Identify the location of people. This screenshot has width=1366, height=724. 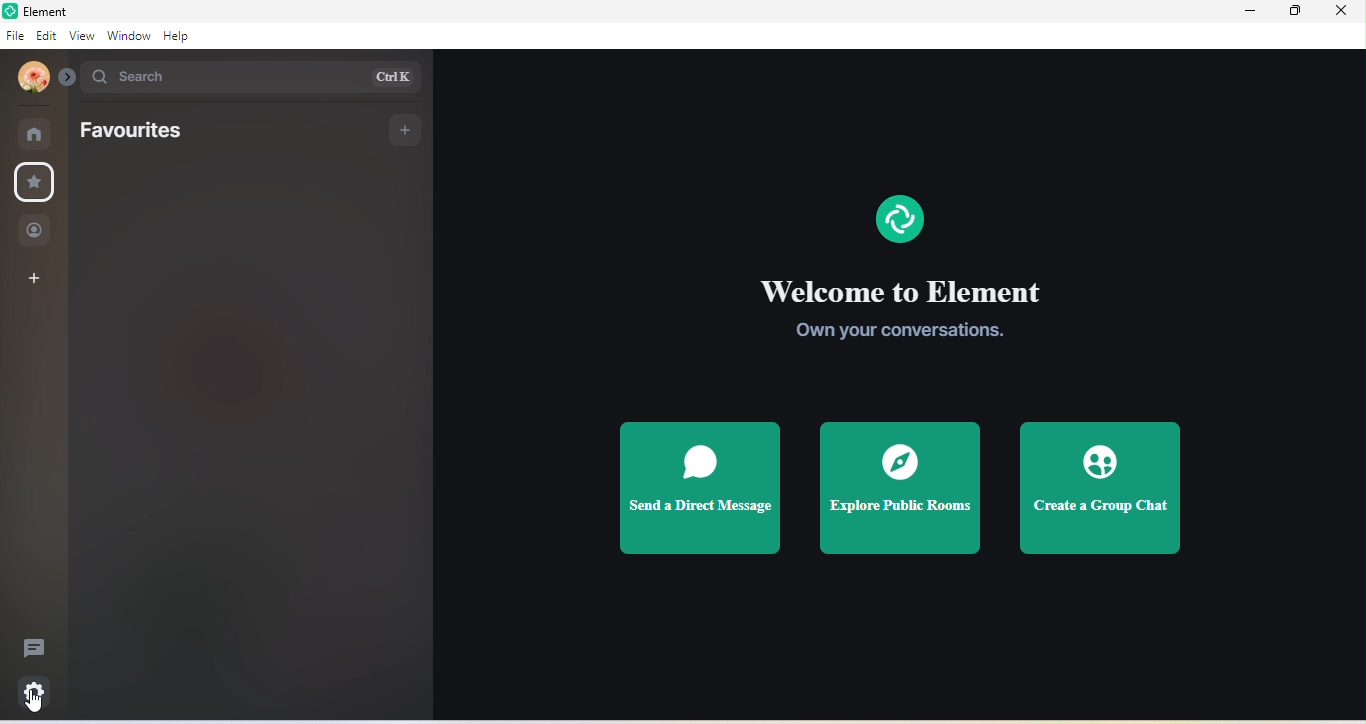
(35, 232).